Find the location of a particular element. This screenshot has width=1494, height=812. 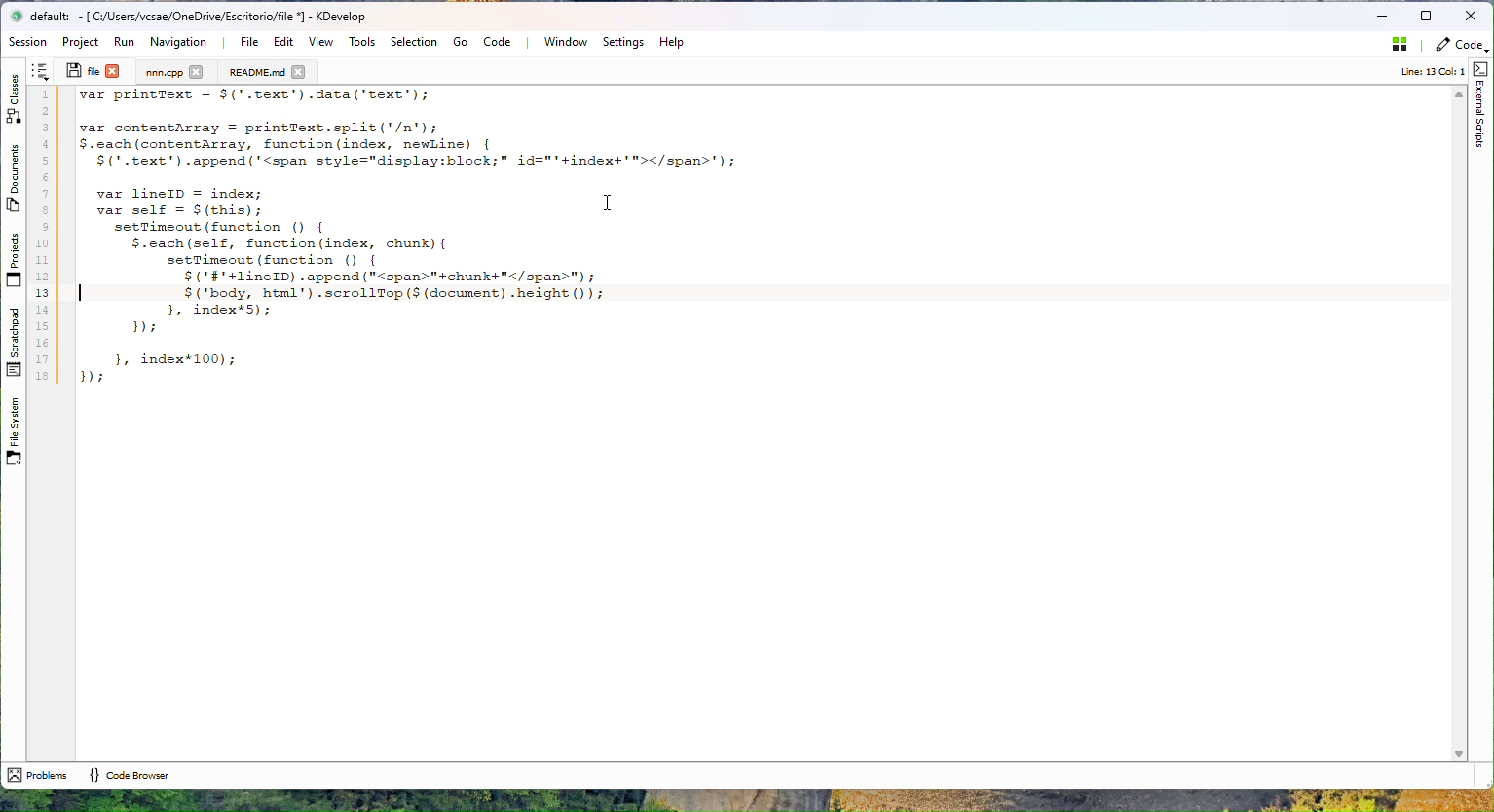

code is located at coordinates (1460, 48).